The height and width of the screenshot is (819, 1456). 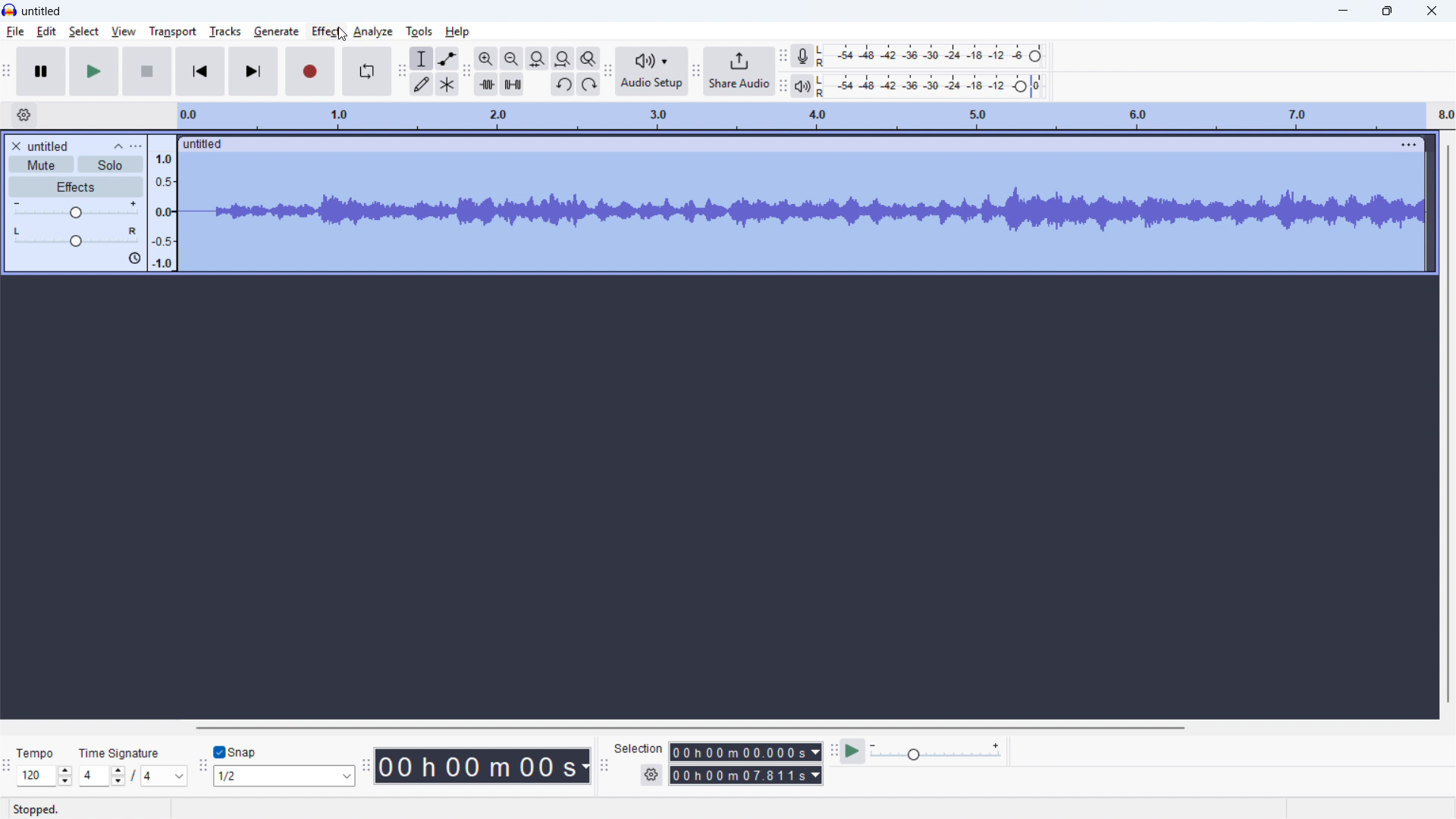 What do you see at coordinates (422, 58) in the screenshot?
I see `Selection tool ` at bounding box center [422, 58].